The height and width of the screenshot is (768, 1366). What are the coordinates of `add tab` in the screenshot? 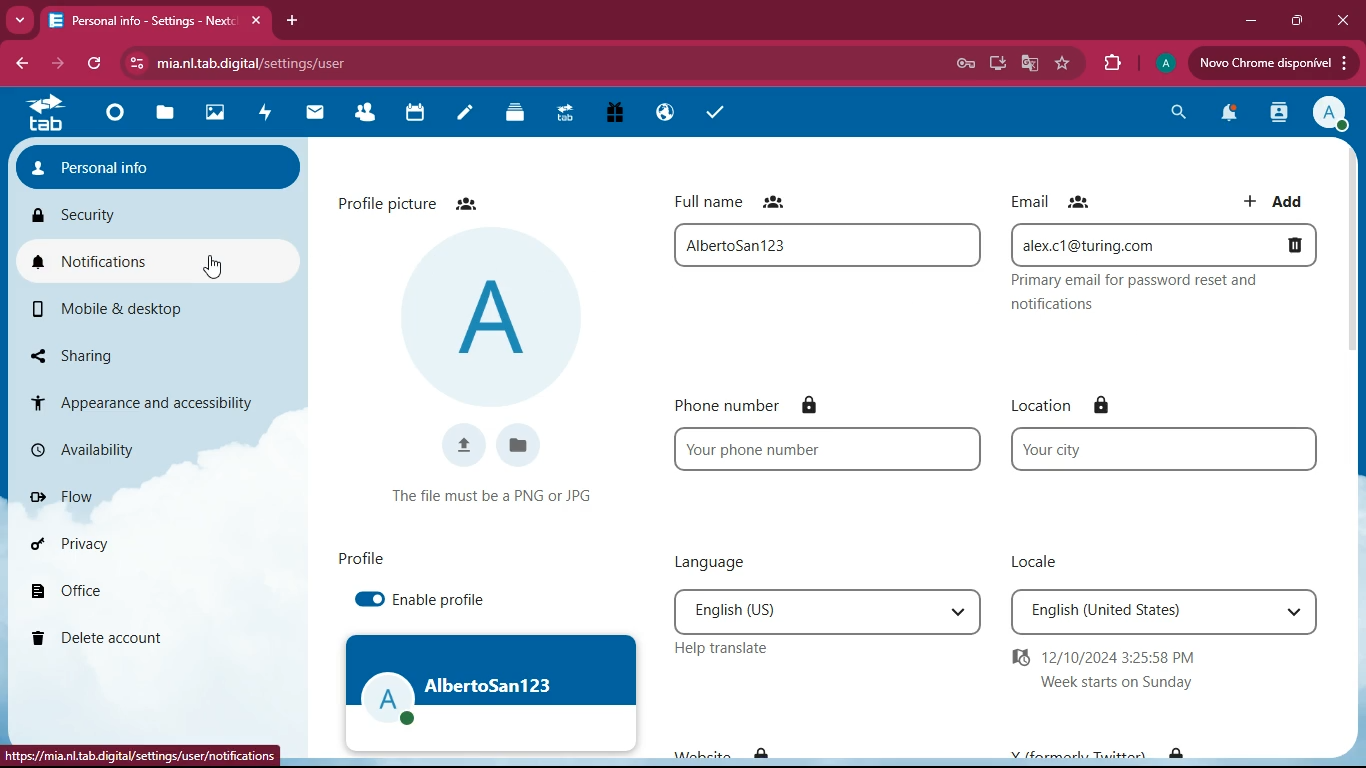 It's located at (289, 21).